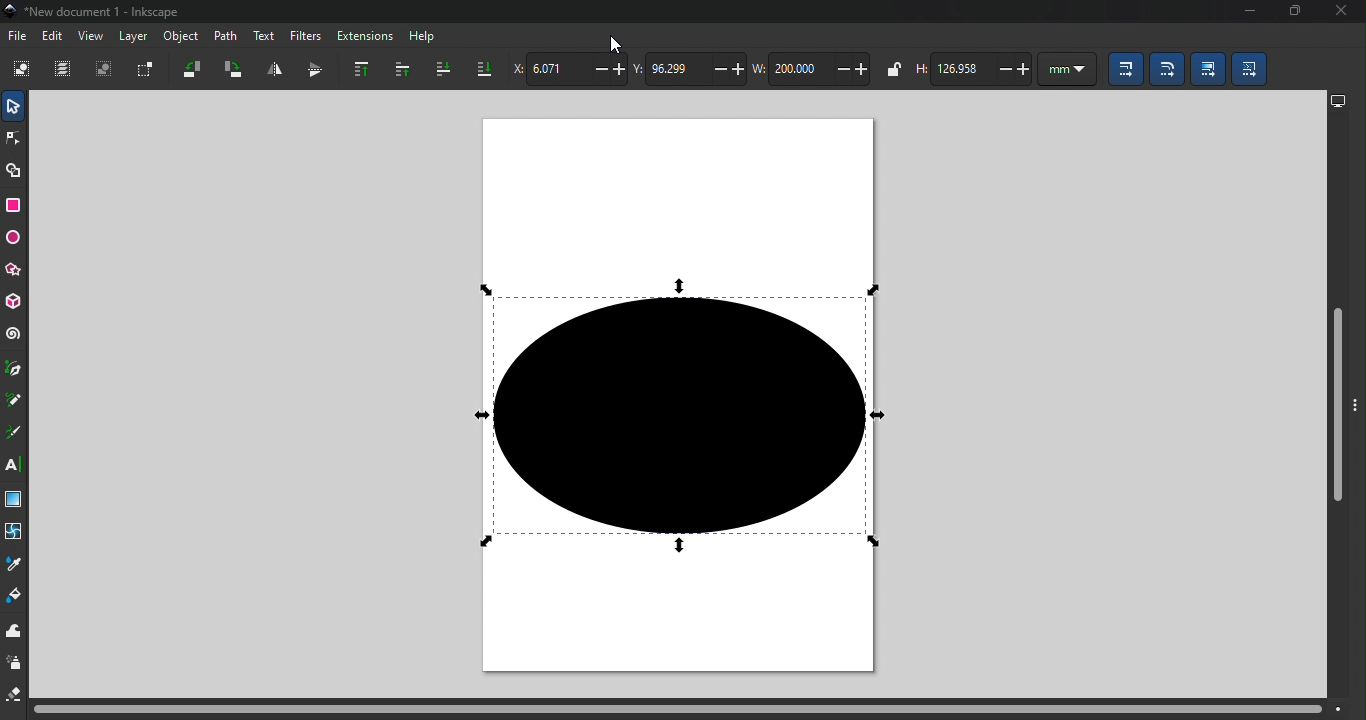 The height and width of the screenshot is (720, 1366). Describe the element at coordinates (15, 696) in the screenshot. I see `eraser tool` at that location.